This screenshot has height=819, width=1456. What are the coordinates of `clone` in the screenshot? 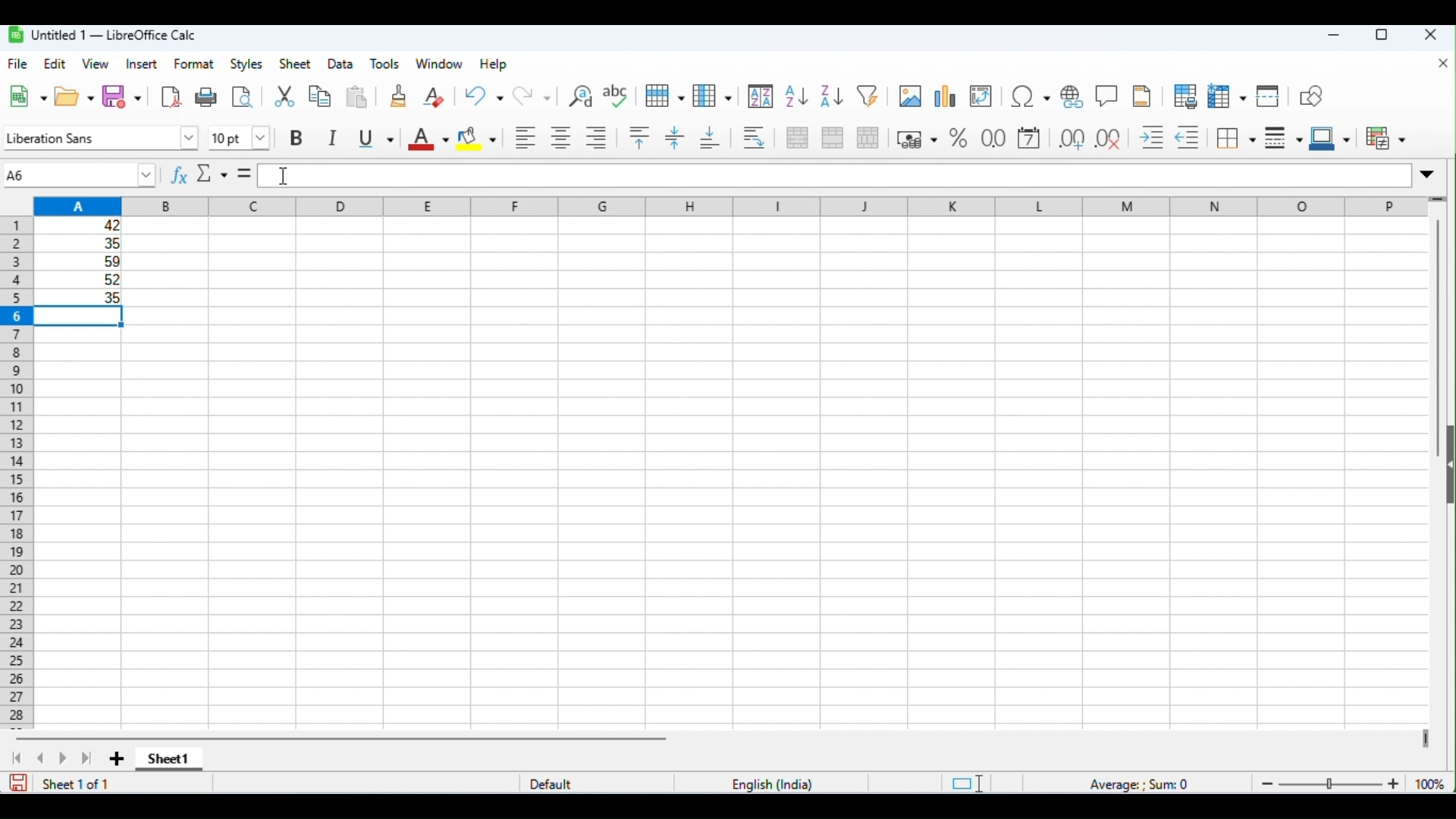 It's located at (399, 96).